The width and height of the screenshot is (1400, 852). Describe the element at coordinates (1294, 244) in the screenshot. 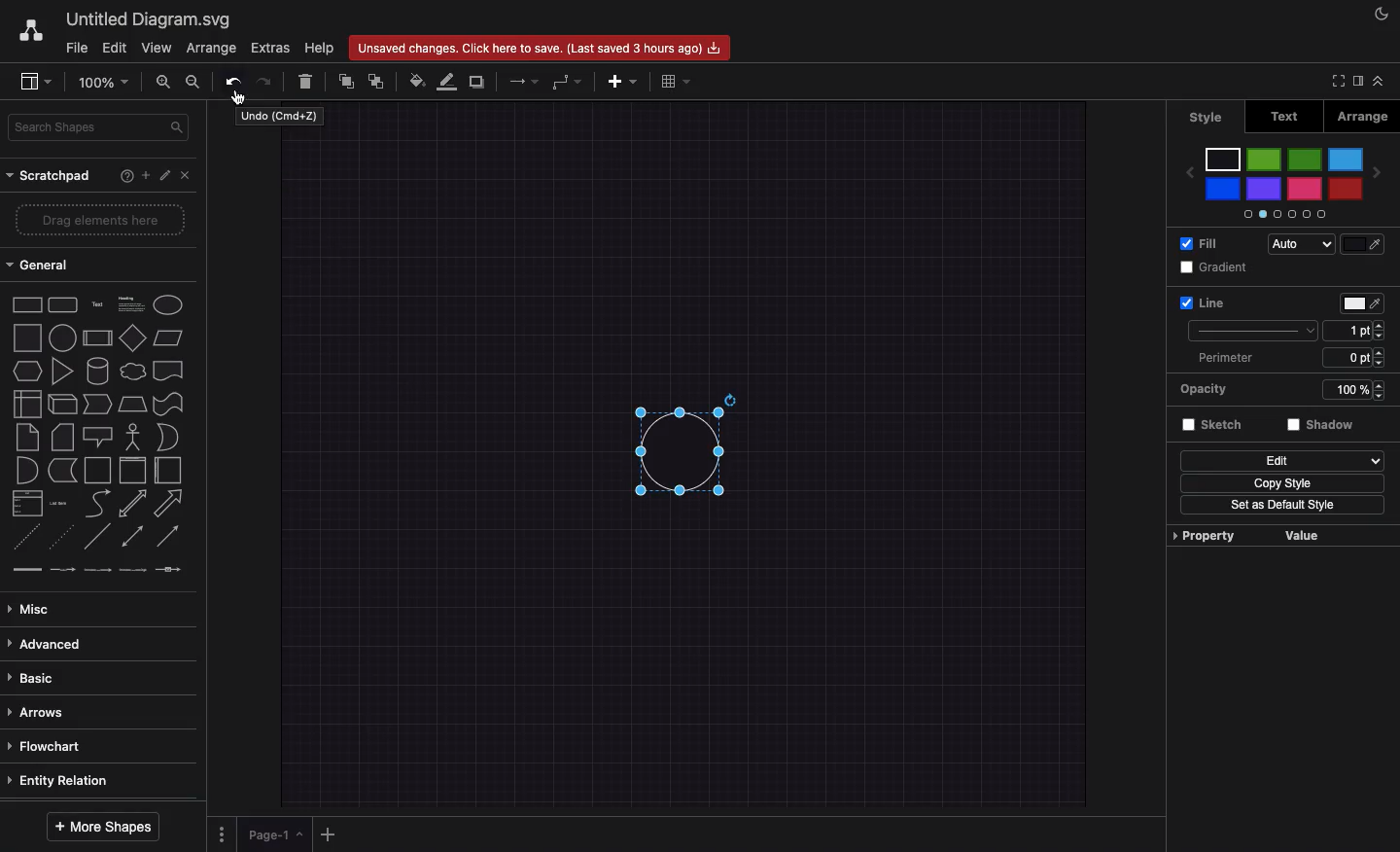

I see `Auto` at that location.